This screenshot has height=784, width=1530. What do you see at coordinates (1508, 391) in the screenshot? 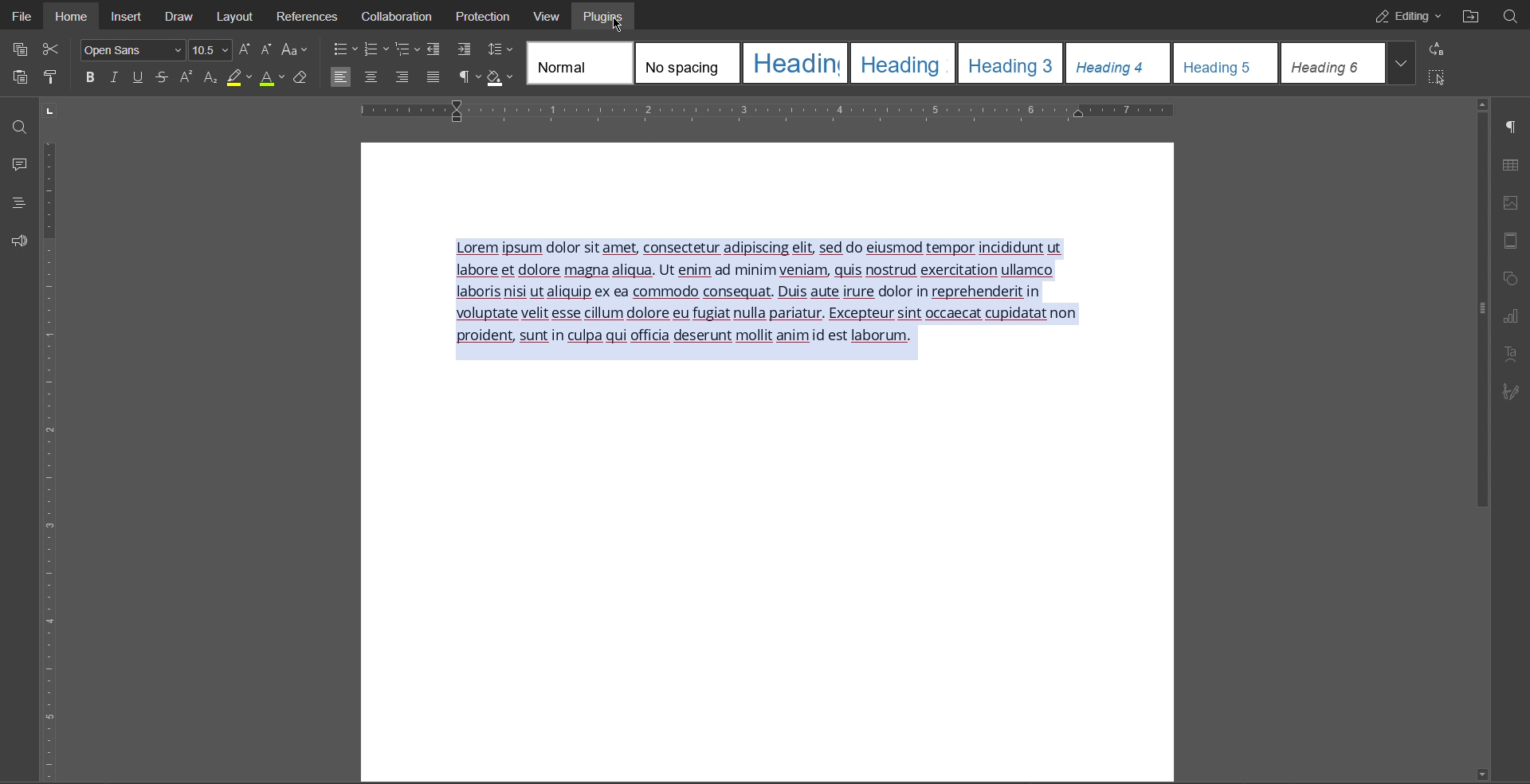
I see `Signature` at bounding box center [1508, 391].